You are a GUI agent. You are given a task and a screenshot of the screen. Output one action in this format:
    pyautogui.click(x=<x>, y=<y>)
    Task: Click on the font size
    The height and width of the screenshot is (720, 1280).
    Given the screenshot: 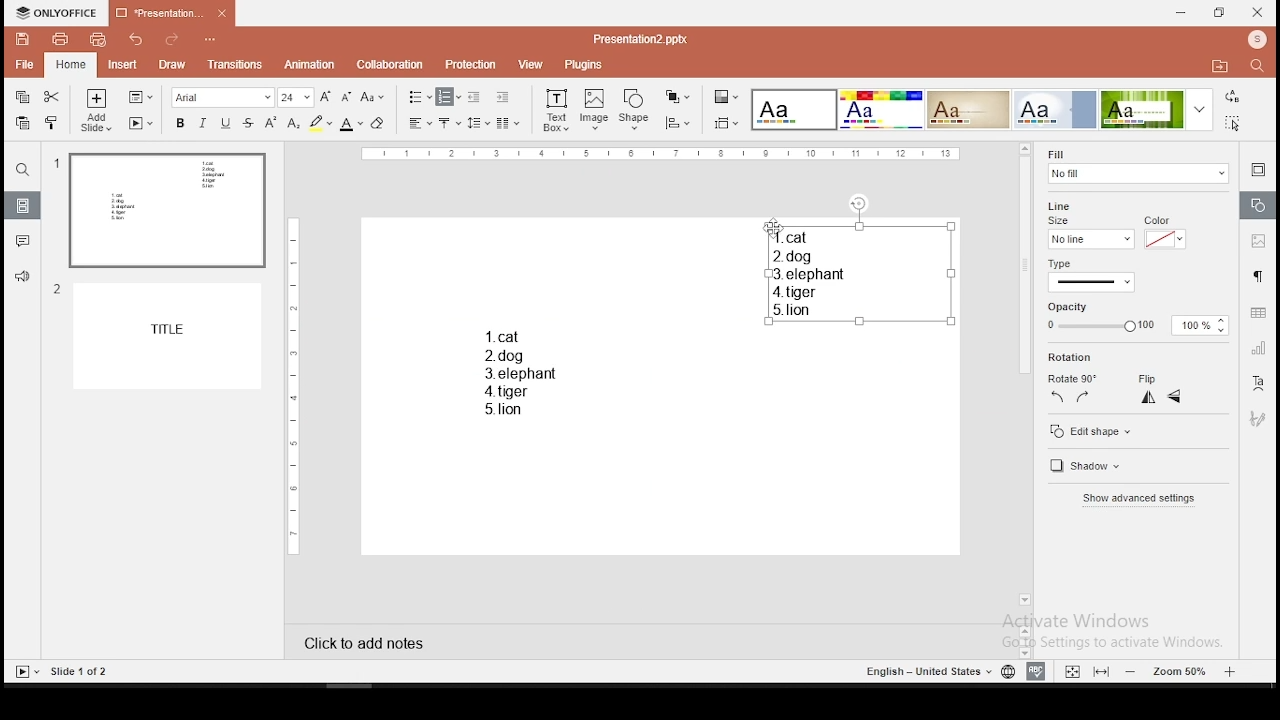 What is the action you would take?
    pyautogui.click(x=296, y=97)
    